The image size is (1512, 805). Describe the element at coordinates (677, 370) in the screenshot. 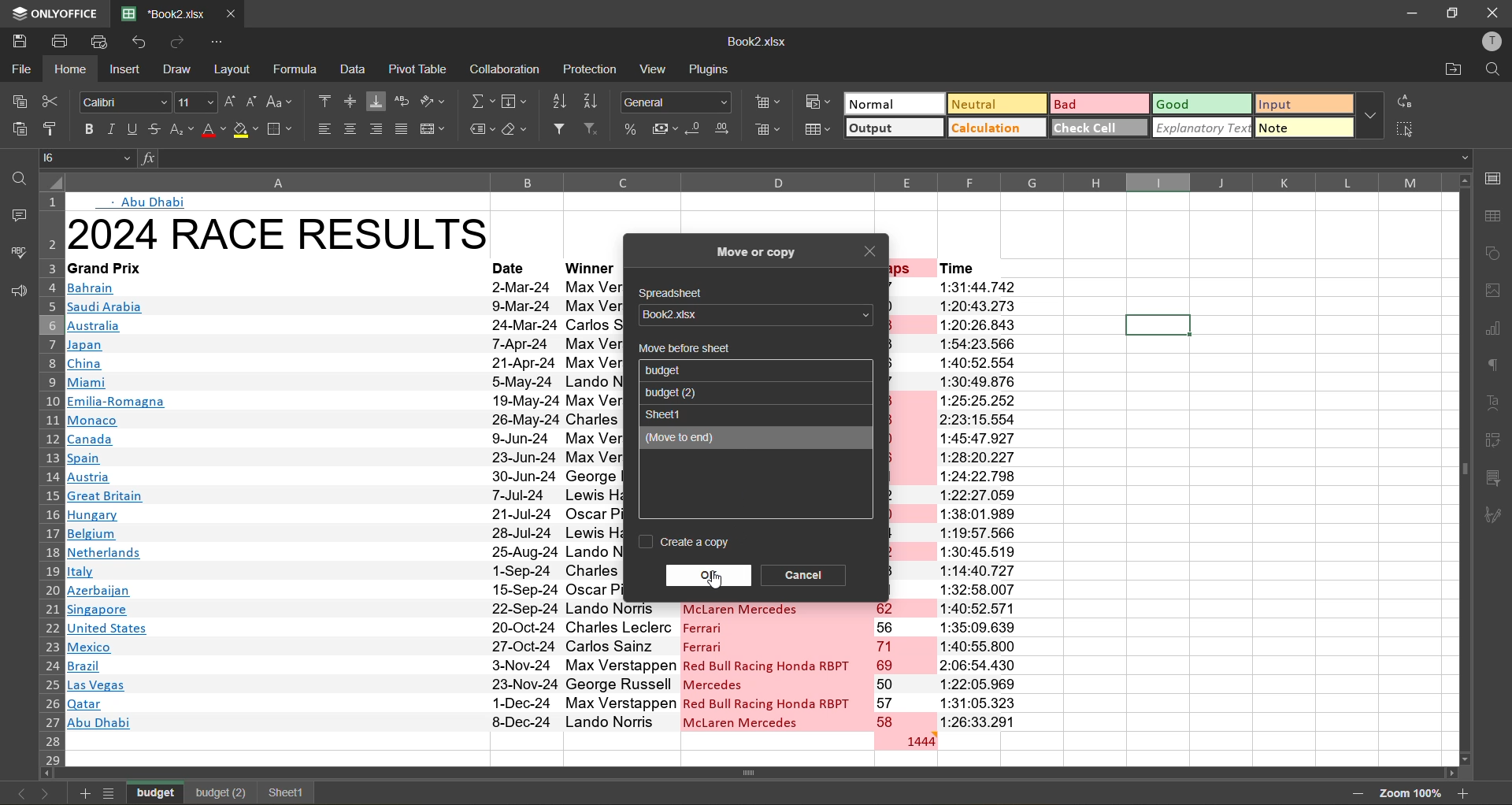

I see `spreadsheet names` at that location.